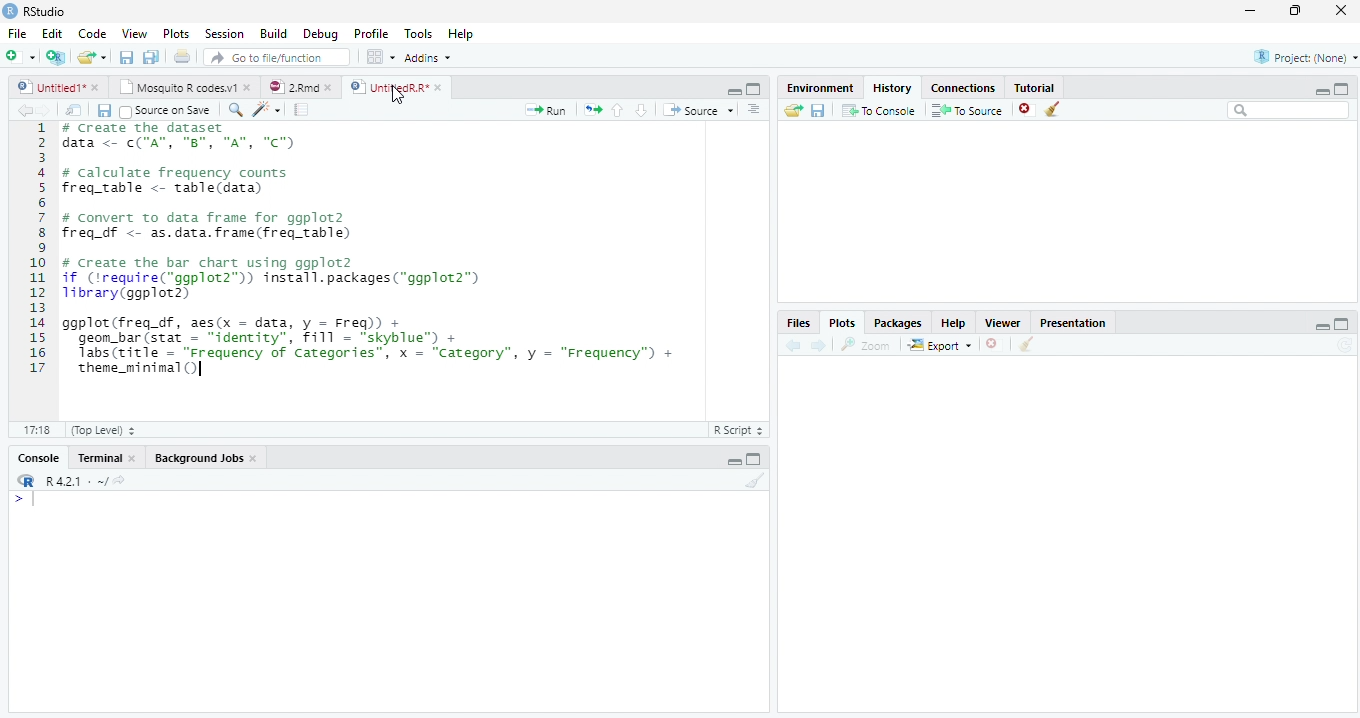 Image resolution: width=1360 pixels, height=718 pixels. I want to click on Background Jobs, so click(207, 457).